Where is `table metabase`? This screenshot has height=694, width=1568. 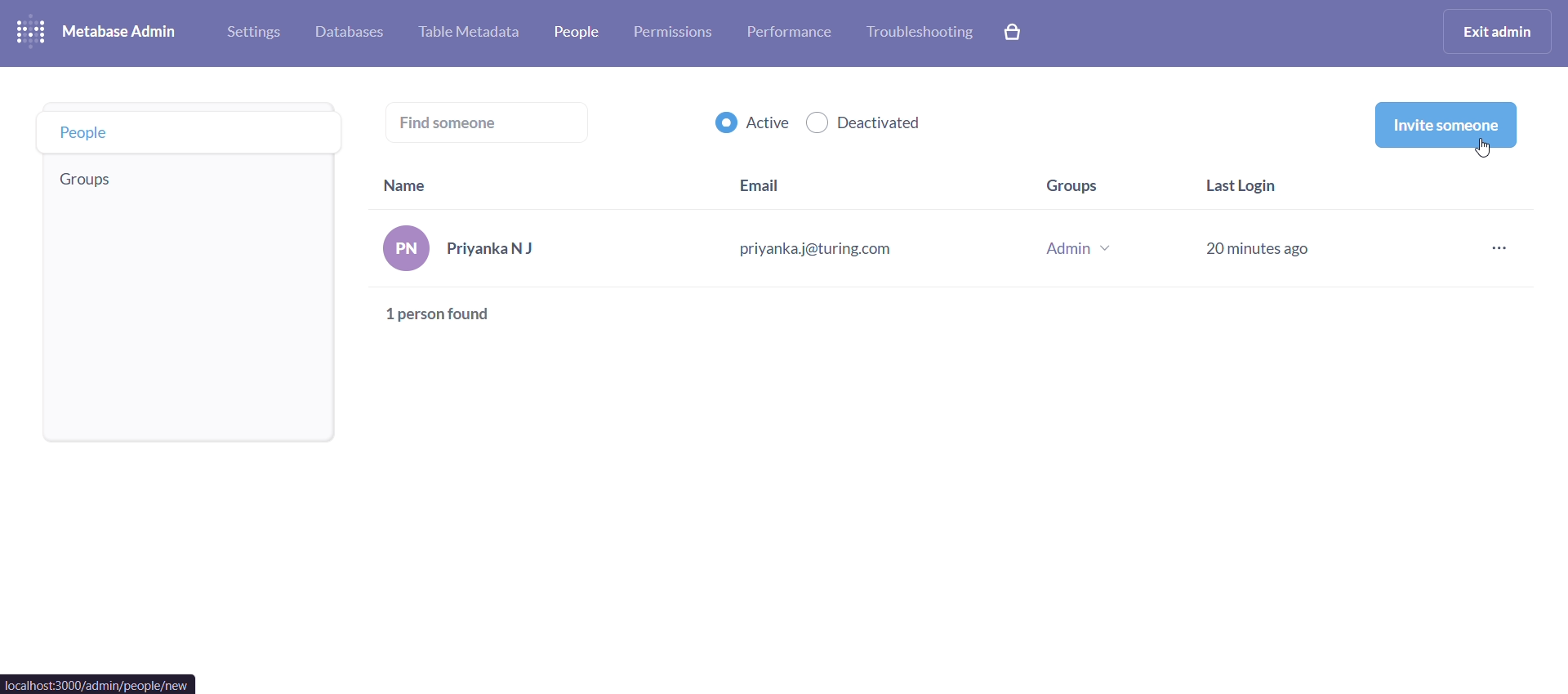
table metabase is located at coordinates (468, 33).